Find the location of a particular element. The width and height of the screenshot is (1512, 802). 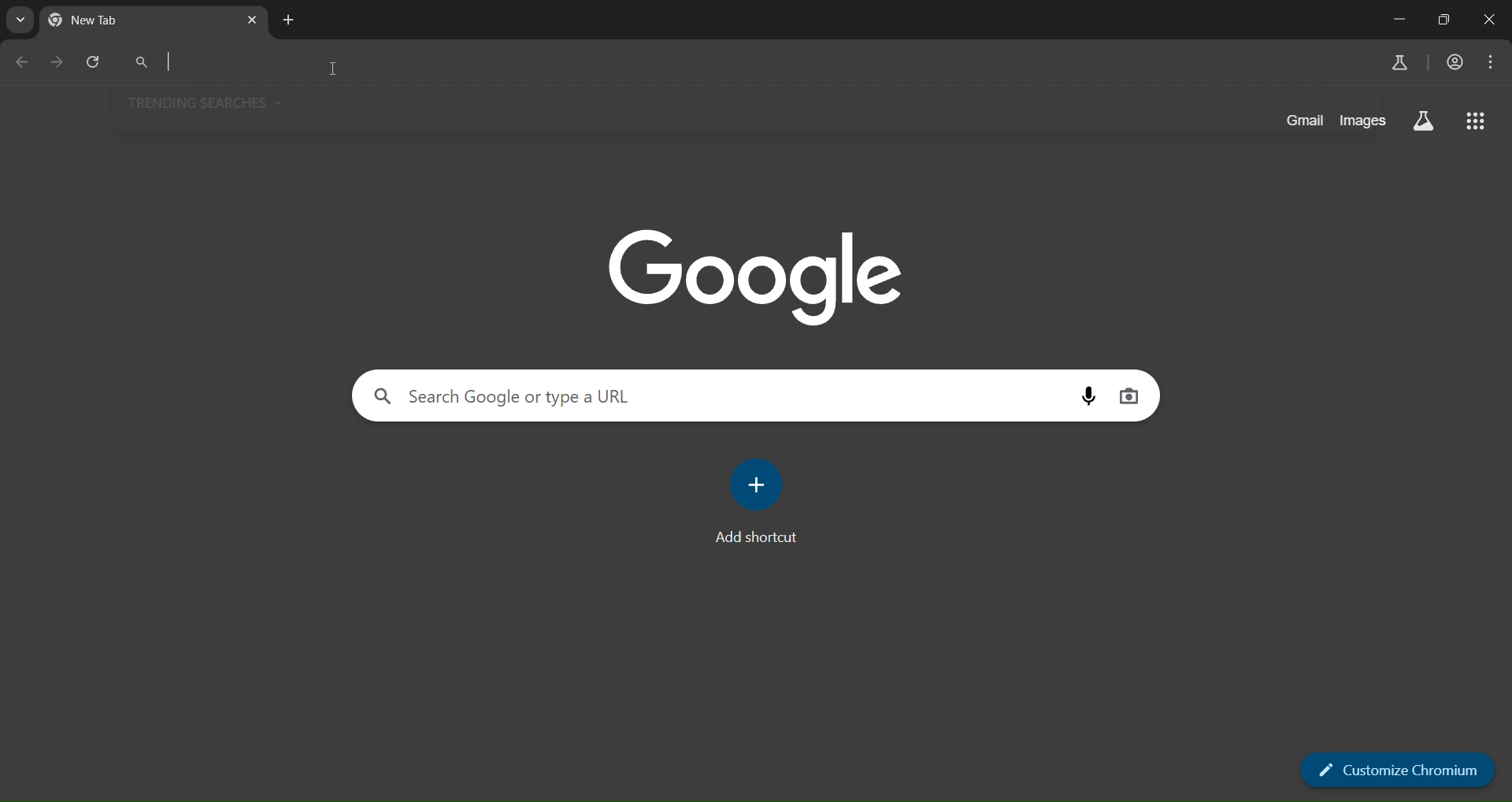

new tab is located at coordinates (288, 22).